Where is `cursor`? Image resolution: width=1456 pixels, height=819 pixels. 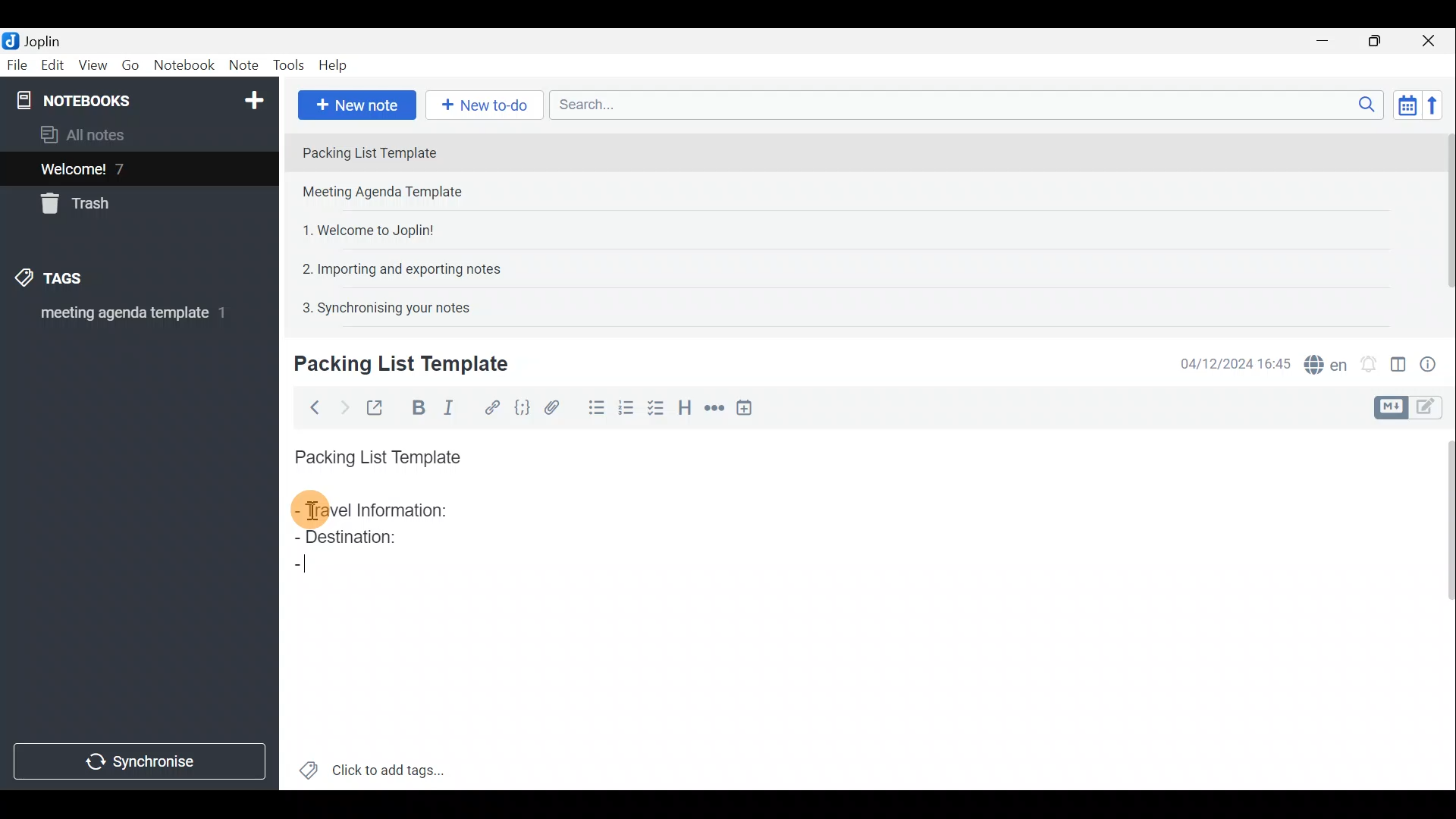 cursor is located at coordinates (310, 512).